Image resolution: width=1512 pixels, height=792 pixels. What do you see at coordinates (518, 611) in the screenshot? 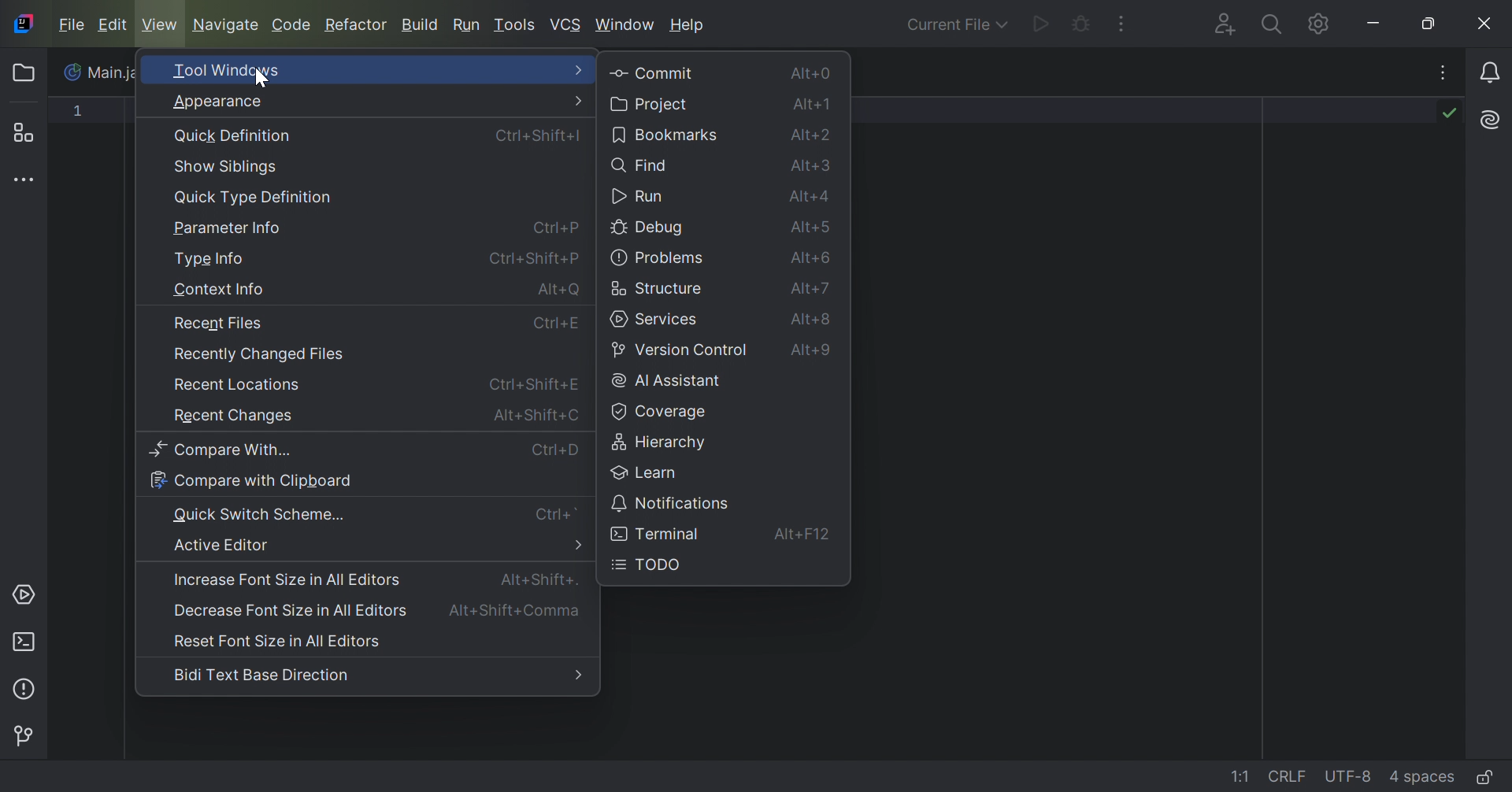
I see `Alt+Shift+Comma` at bounding box center [518, 611].